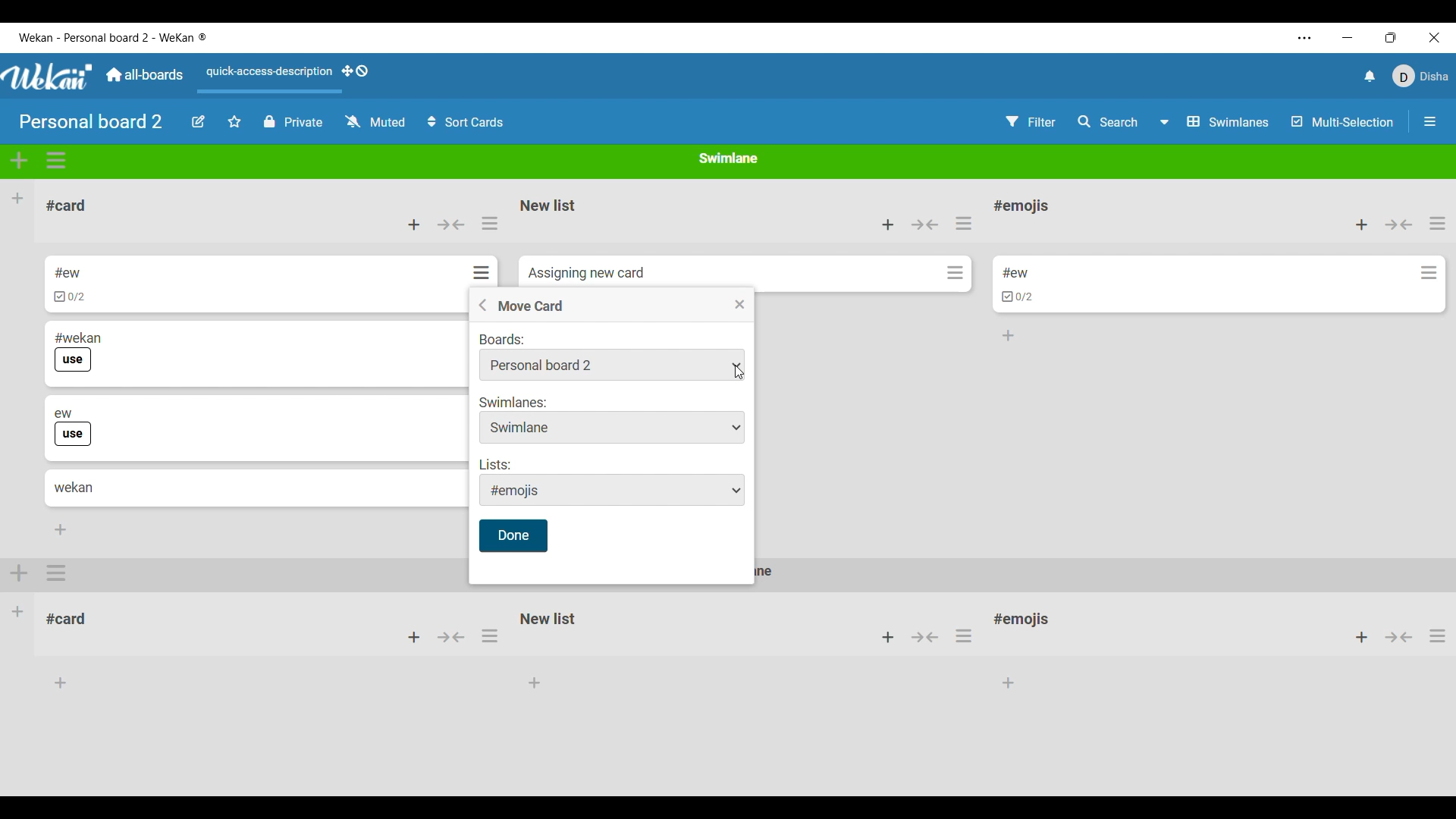 This screenshot has width=1456, height=819. What do you see at coordinates (199, 121) in the screenshot?
I see `Edit board` at bounding box center [199, 121].